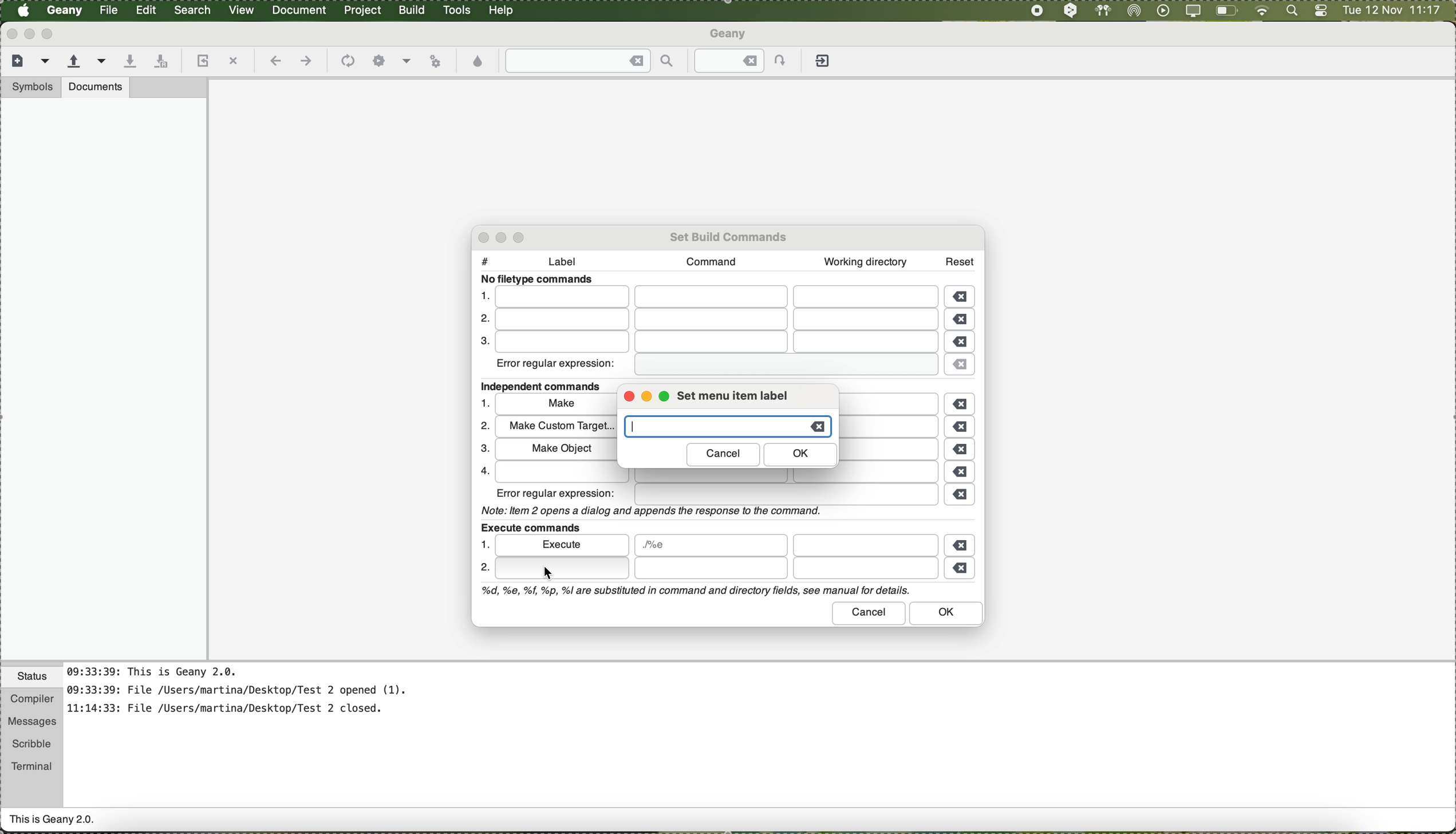 The image size is (1456, 834). What do you see at coordinates (479, 62) in the screenshot?
I see `choose color` at bounding box center [479, 62].